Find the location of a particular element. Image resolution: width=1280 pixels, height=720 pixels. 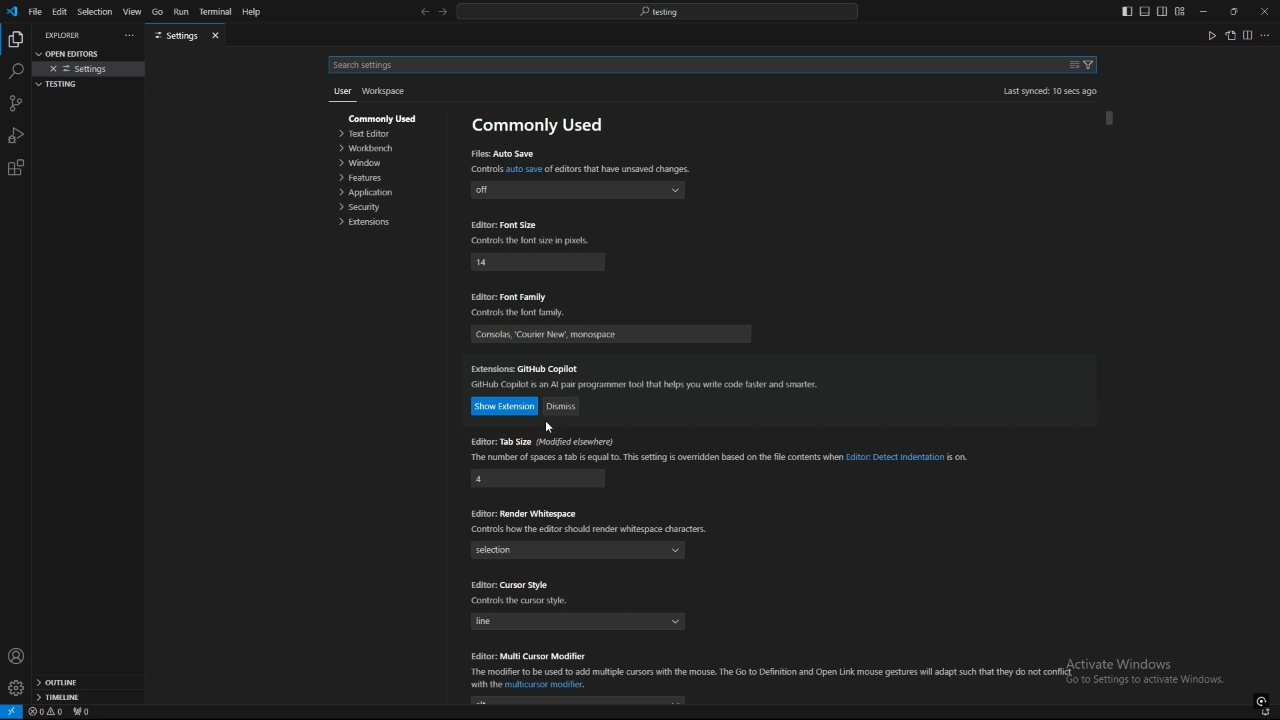

last synced is located at coordinates (1050, 90).